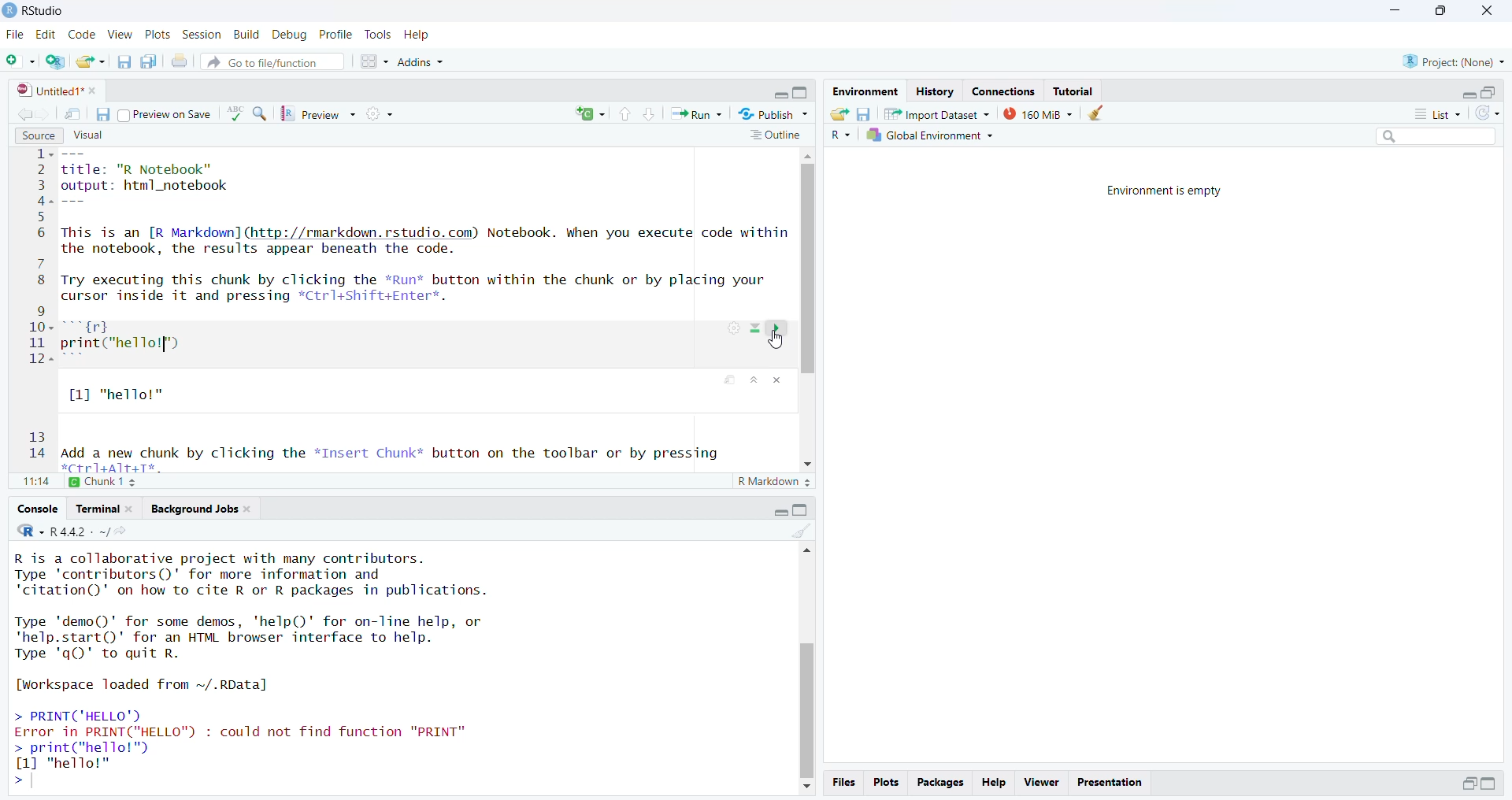  I want to click on go backward, so click(22, 112).